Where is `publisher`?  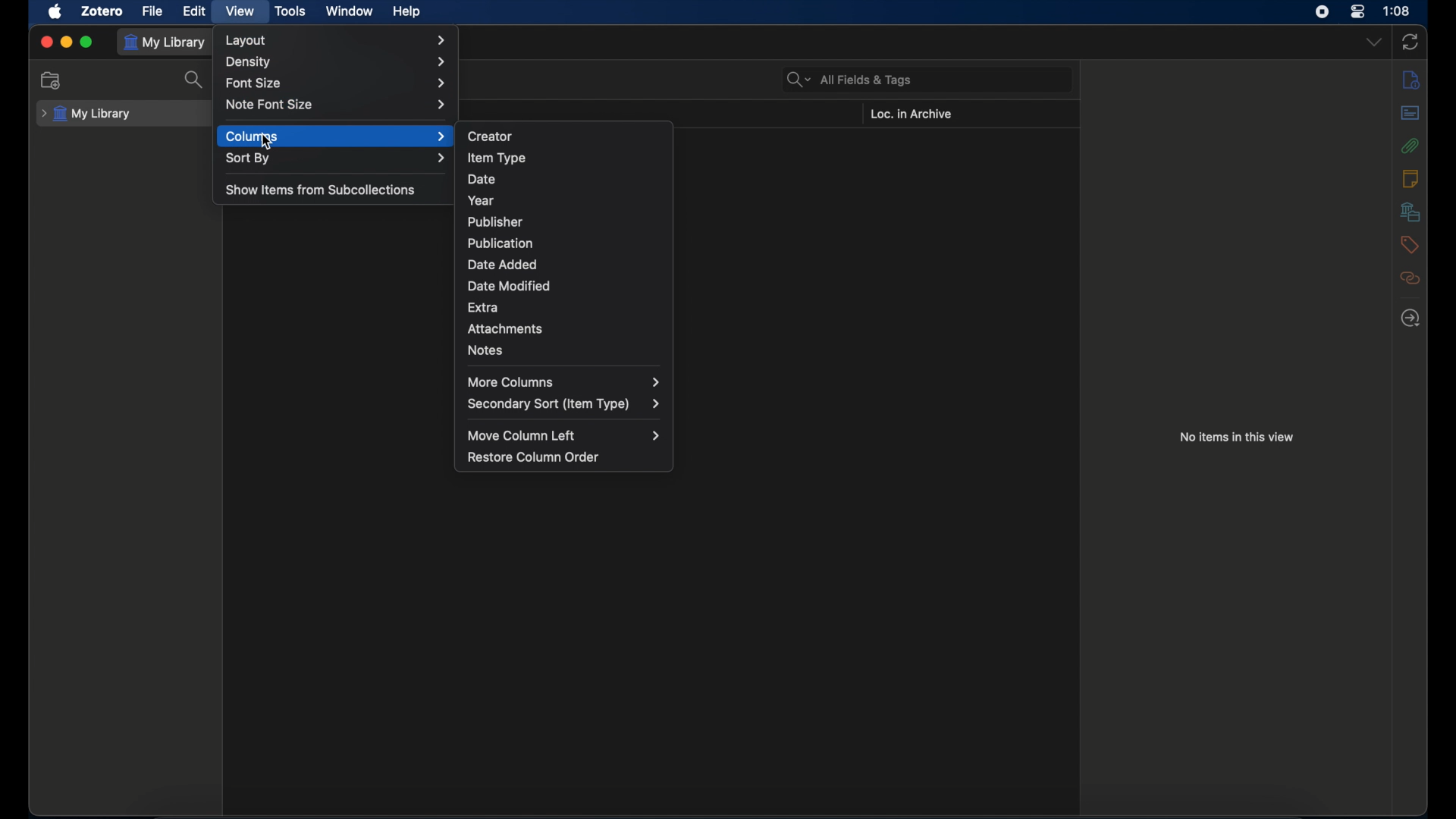 publisher is located at coordinates (496, 222).